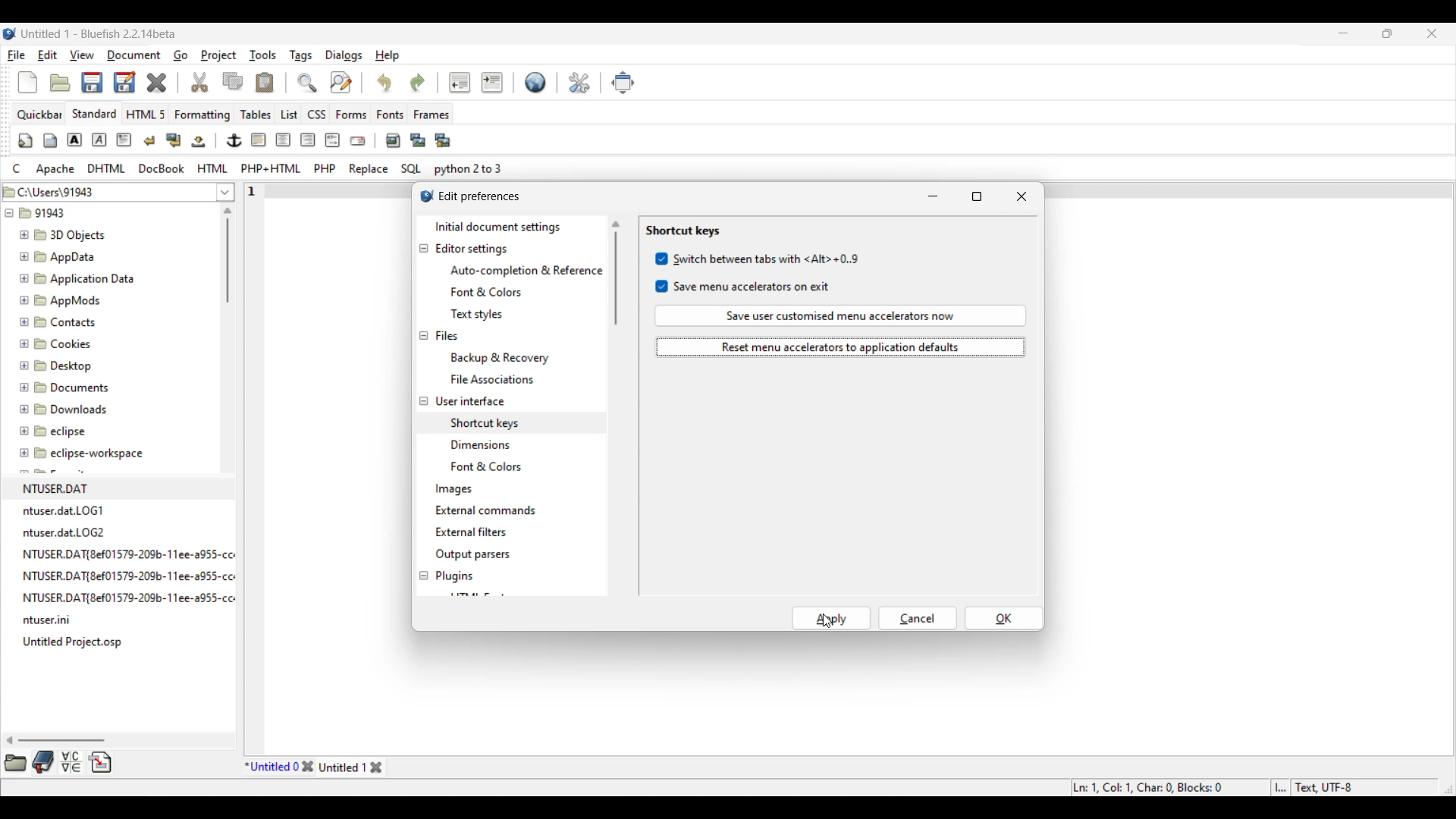  I want to click on More tool options, so click(58, 762).